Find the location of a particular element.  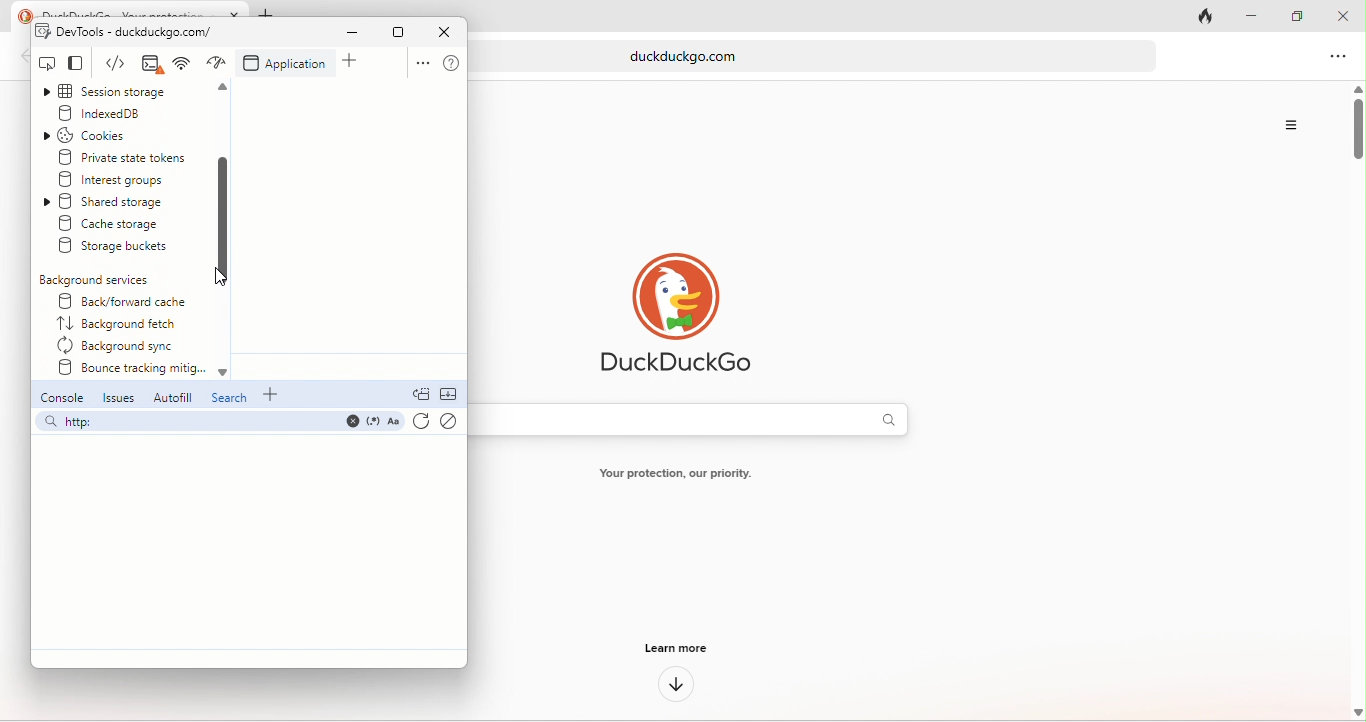

collapse is located at coordinates (452, 396).